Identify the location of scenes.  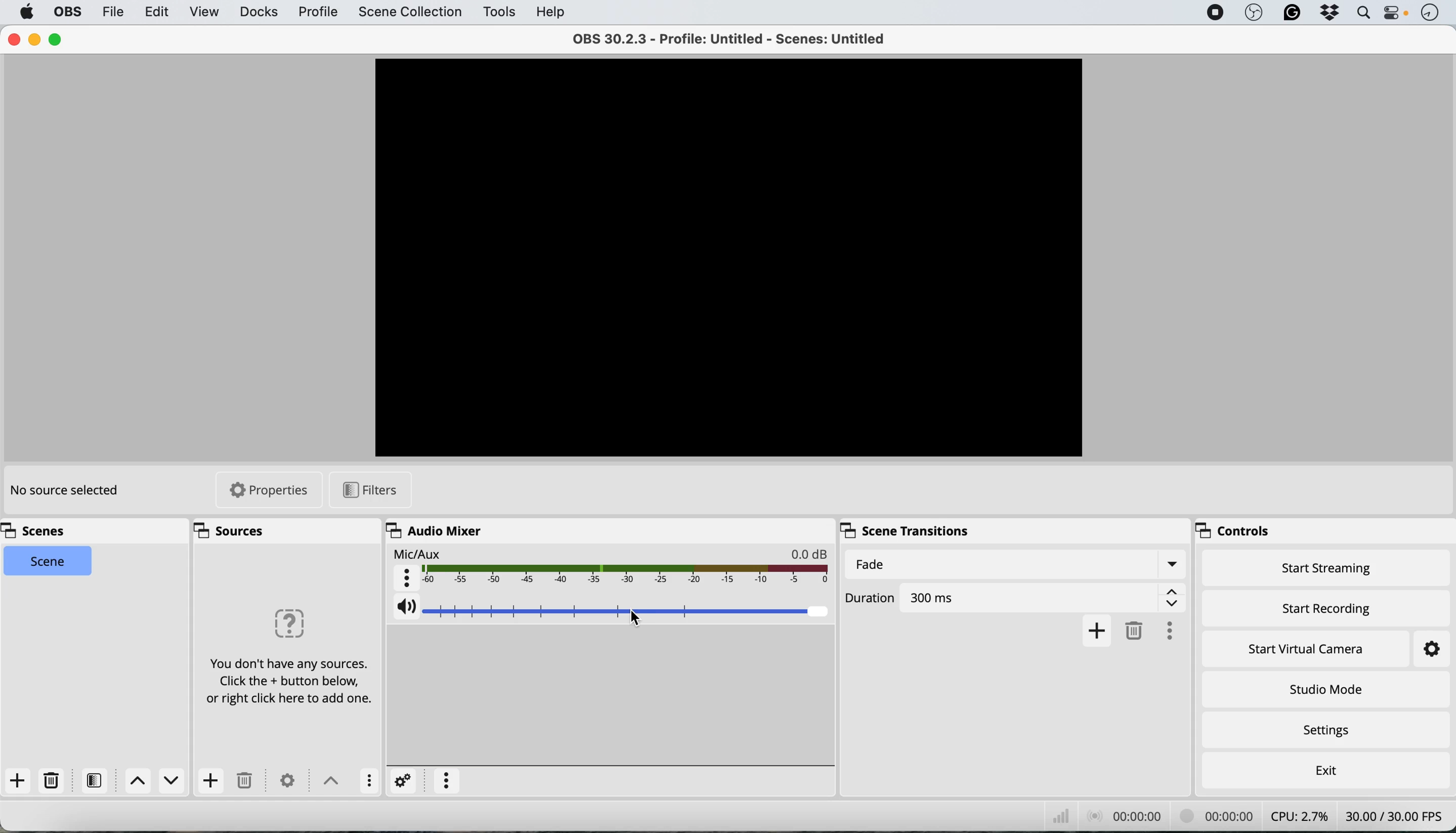
(37, 531).